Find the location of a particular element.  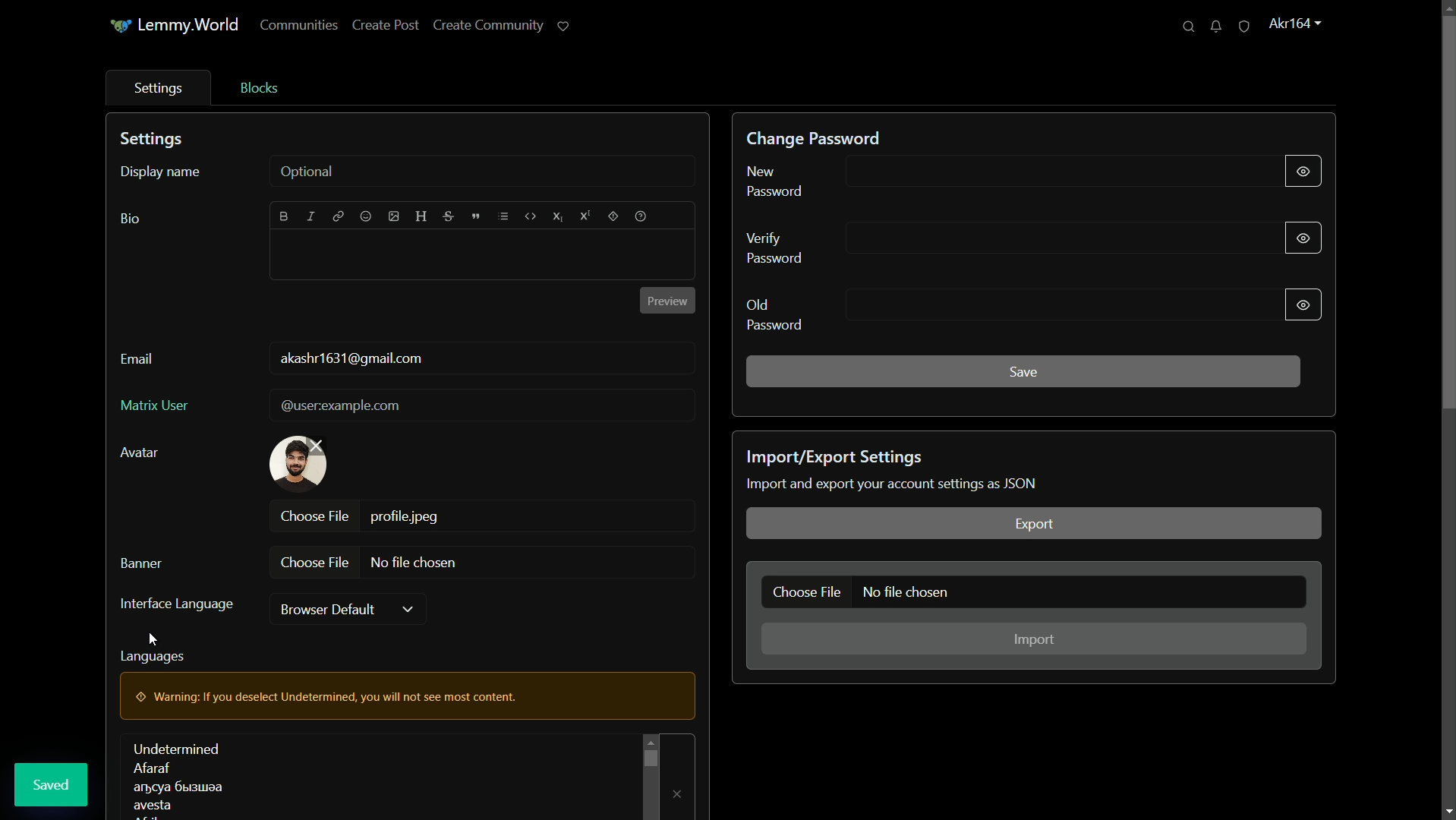

languages is located at coordinates (153, 654).